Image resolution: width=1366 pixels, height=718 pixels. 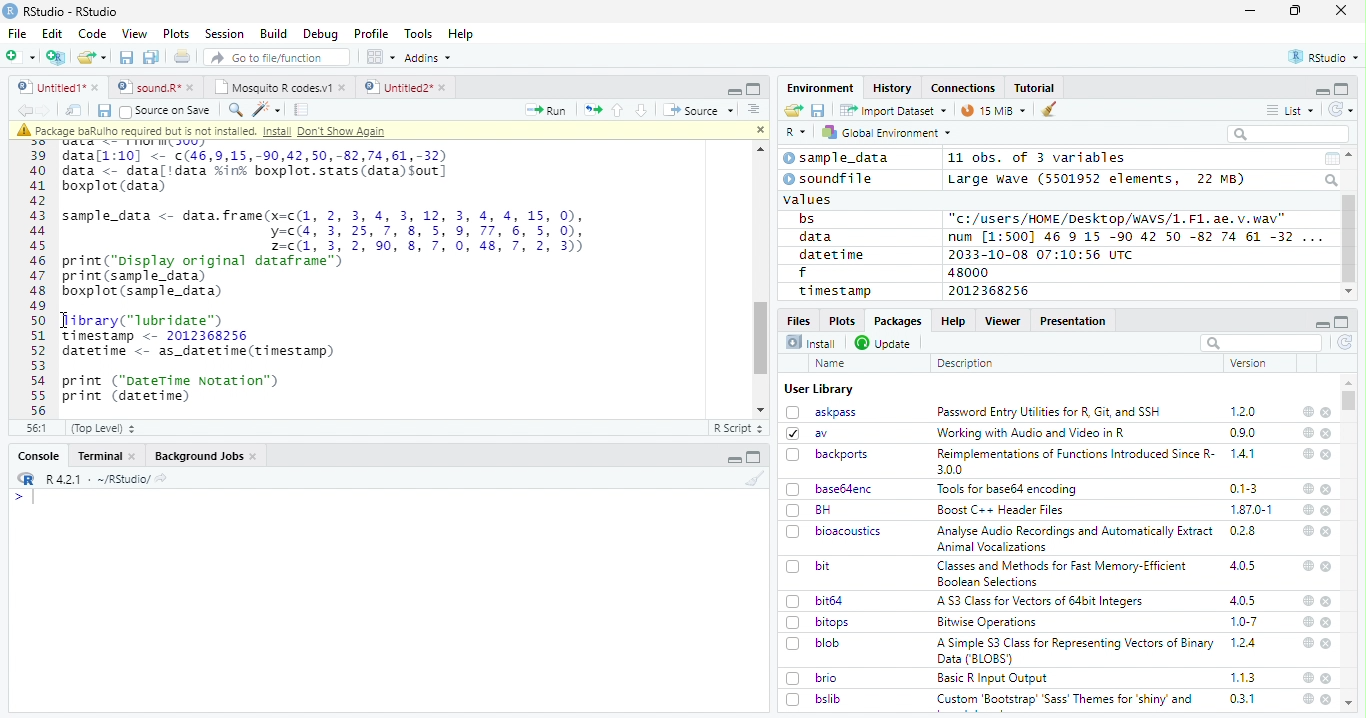 I want to click on close, so click(x=1327, y=566).